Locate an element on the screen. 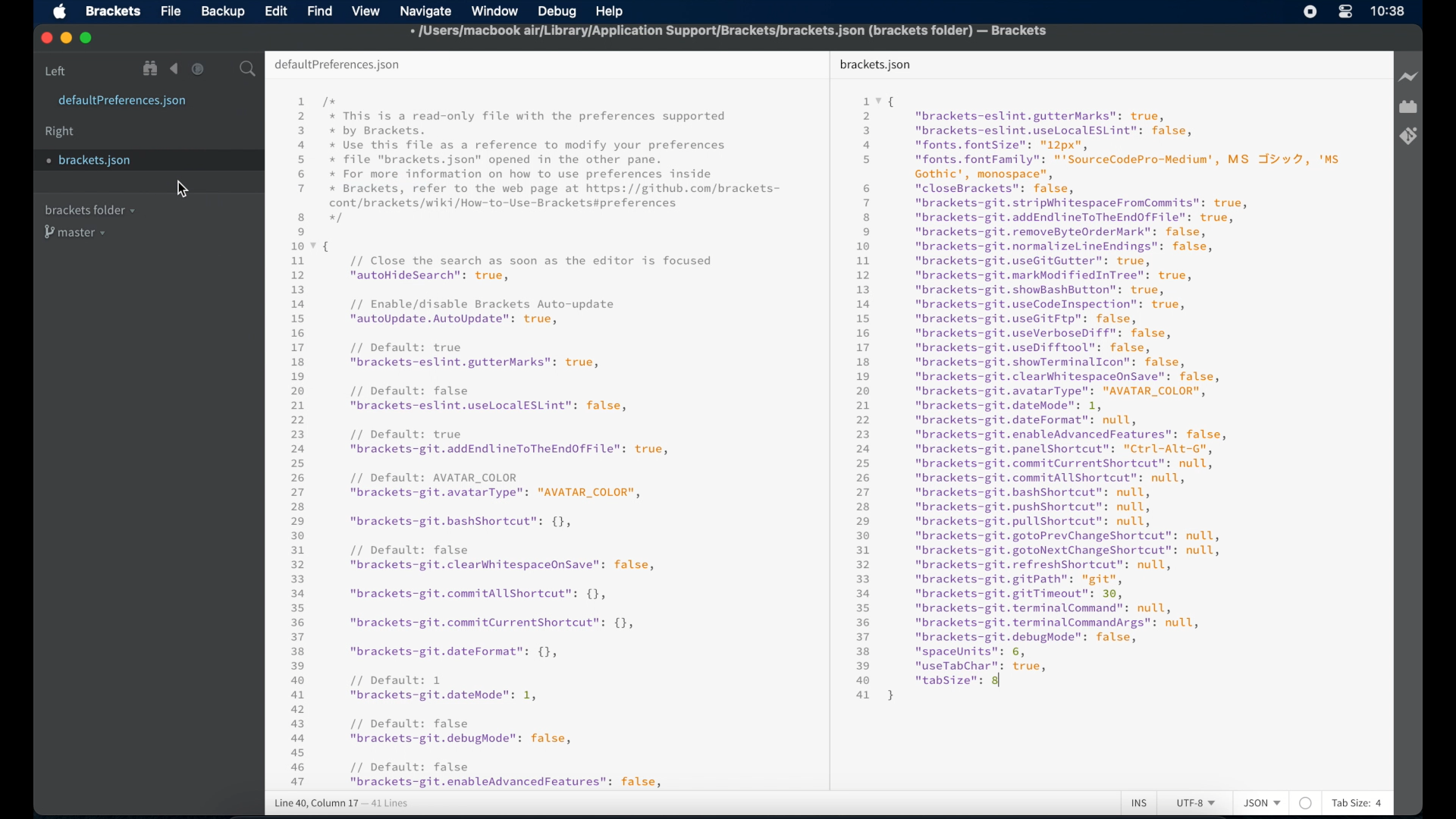 The height and width of the screenshot is (819, 1456). apple icon is located at coordinates (61, 12).